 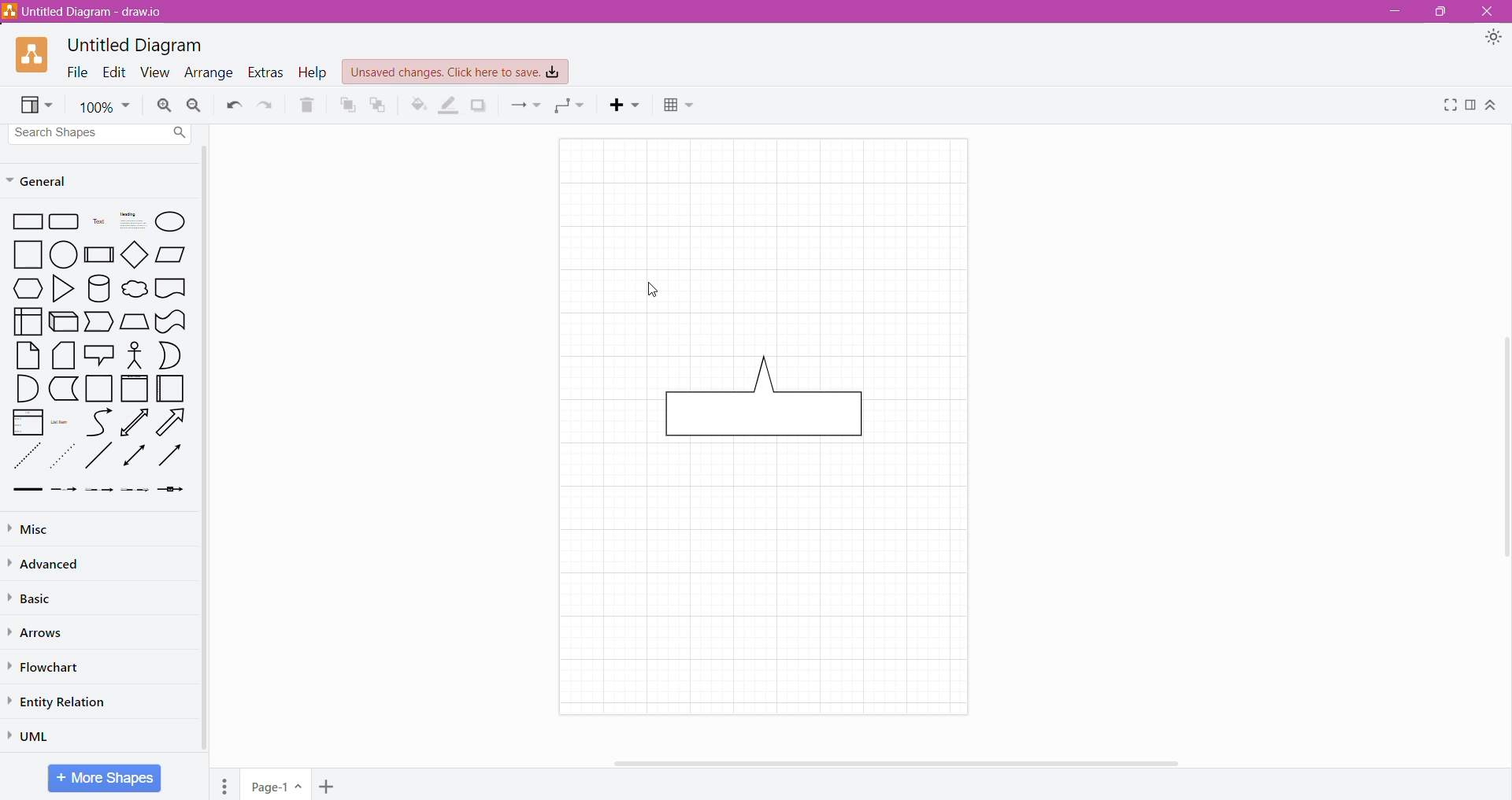 What do you see at coordinates (98, 288) in the screenshot?
I see `Cylinder ` at bounding box center [98, 288].